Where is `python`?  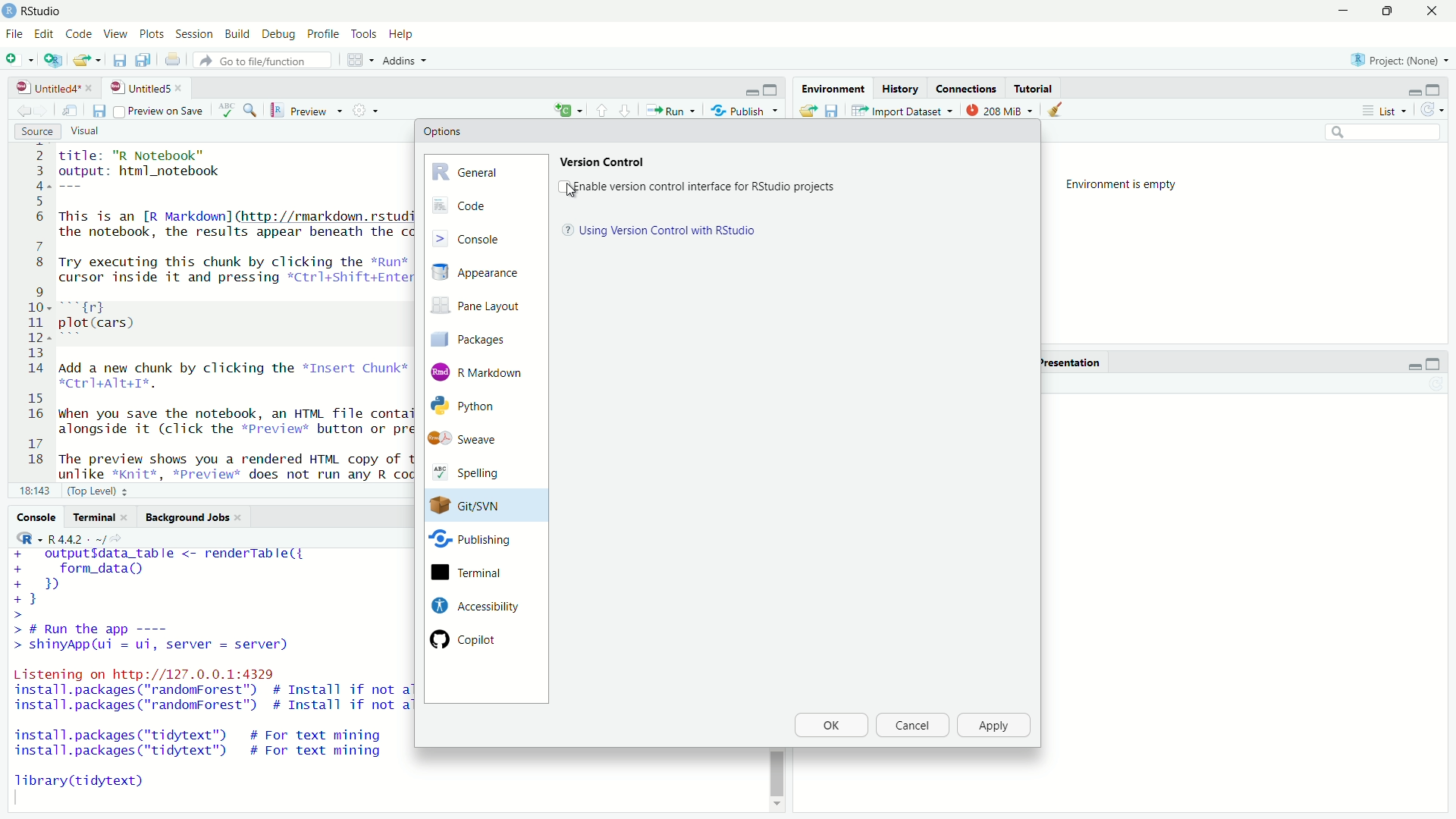
python is located at coordinates (476, 406).